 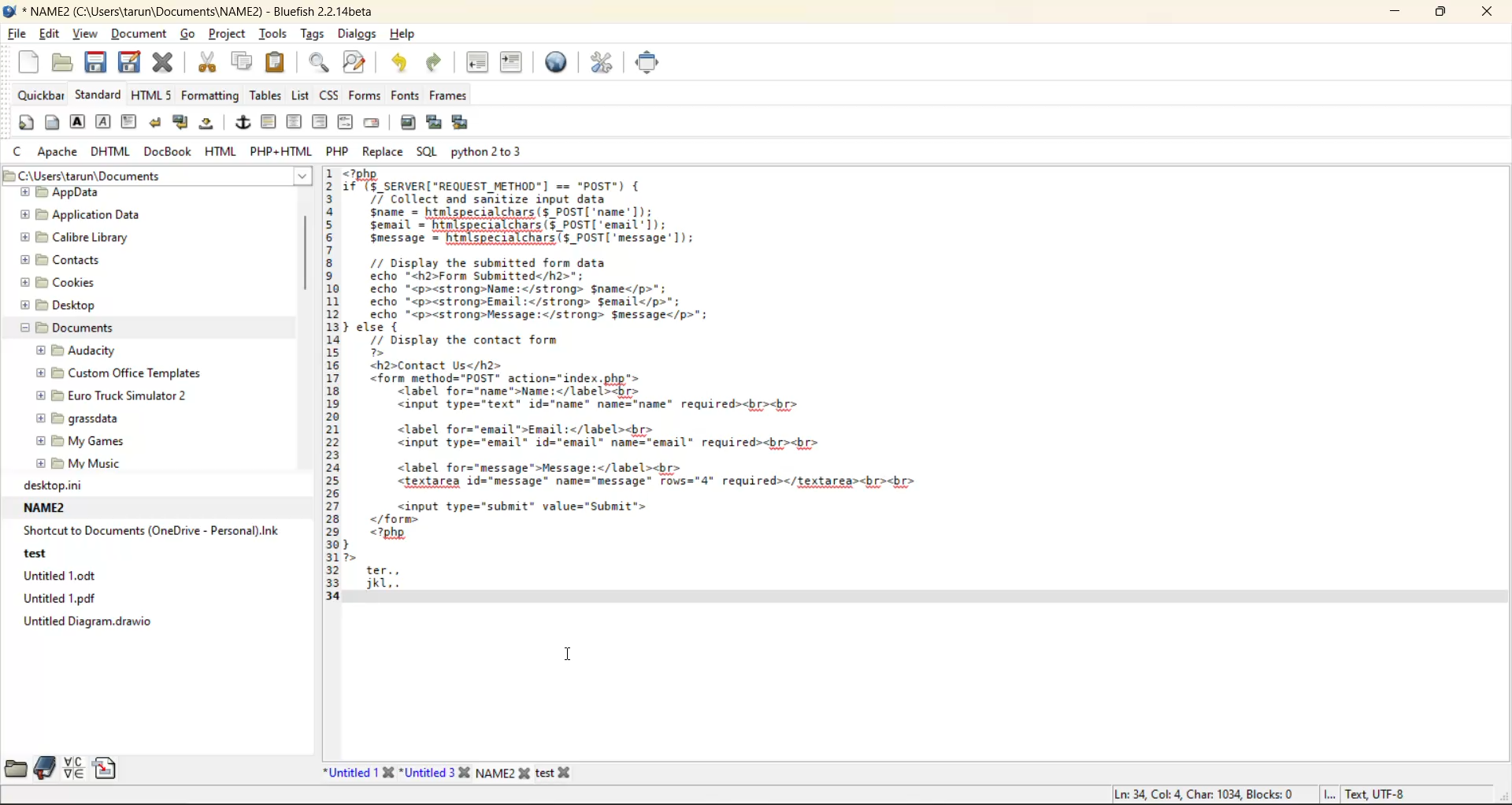 What do you see at coordinates (80, 123) in the screenshot?
I see `strong` at bounding box center [80, 123].